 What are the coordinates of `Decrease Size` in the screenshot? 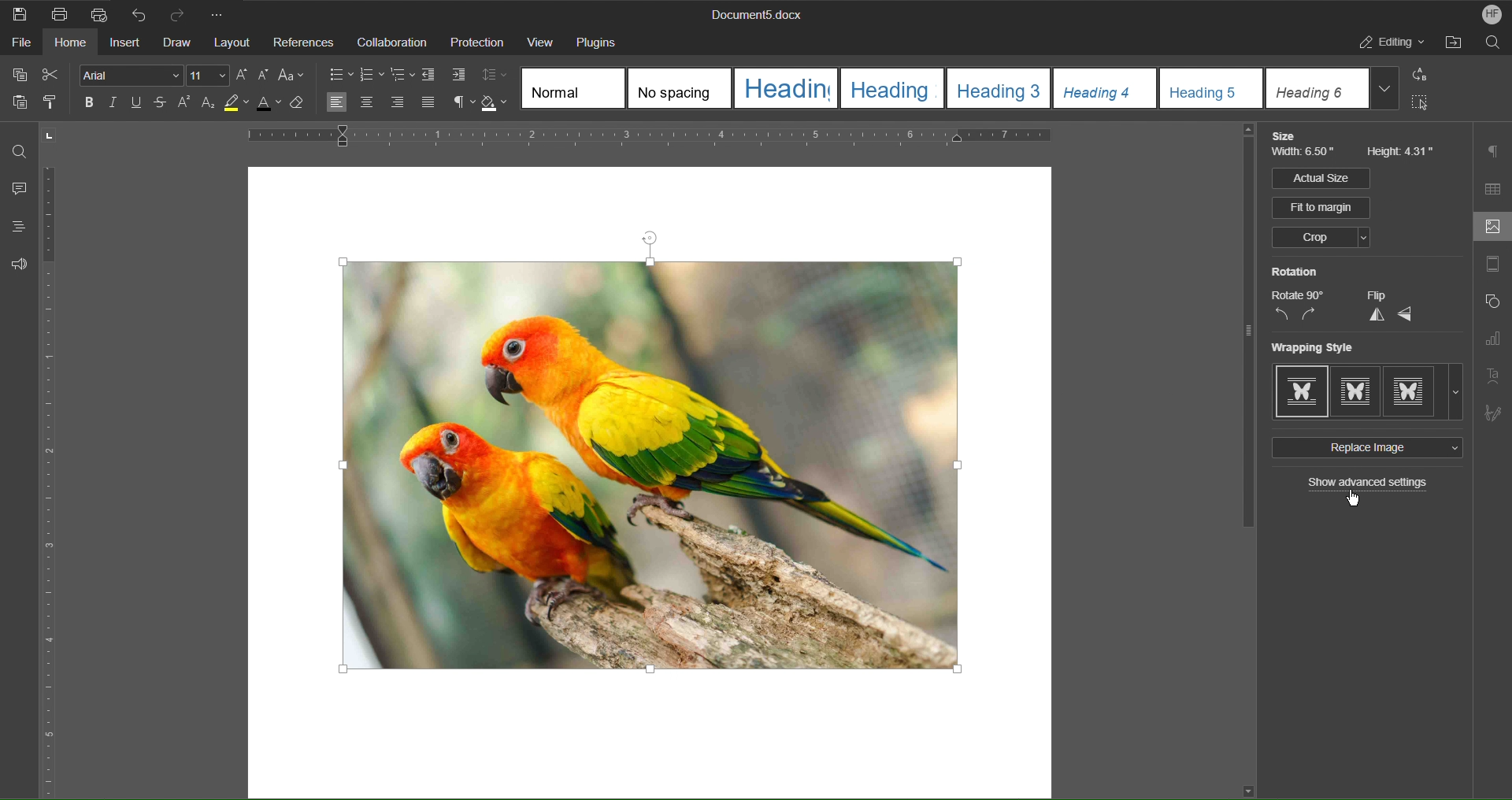 It's located at (266, 76).